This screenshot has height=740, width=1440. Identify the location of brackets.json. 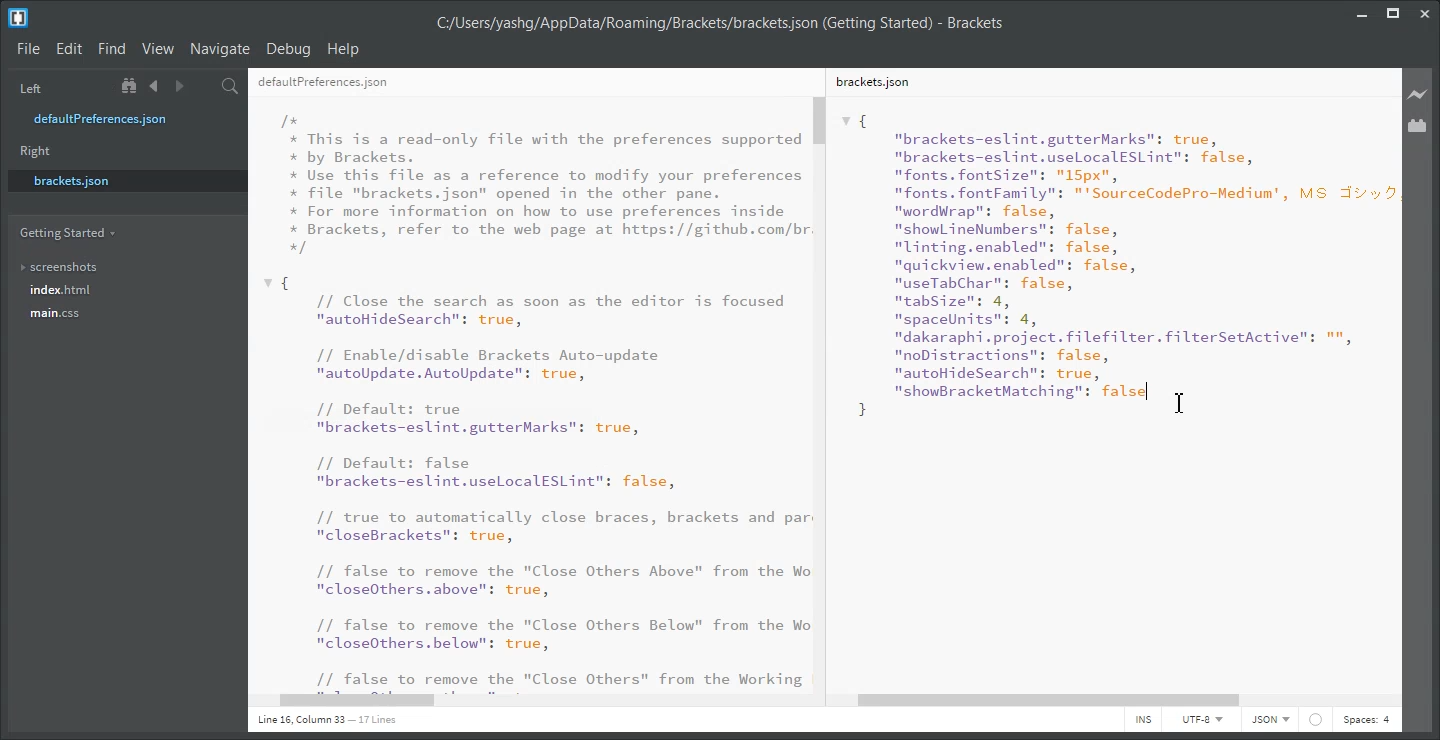
(871, 81).